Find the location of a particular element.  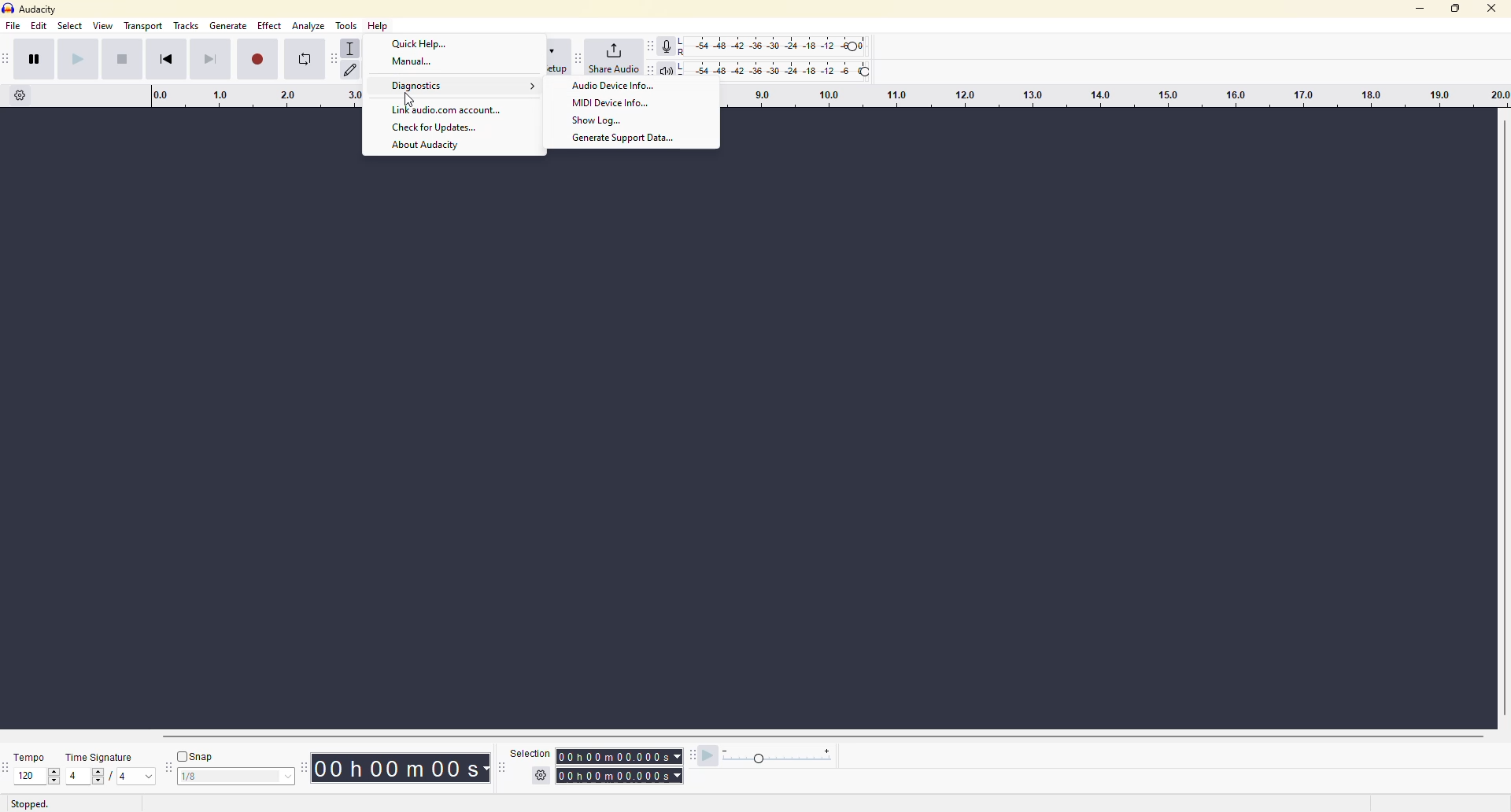

selection tool is located at coordinates (353, 46).